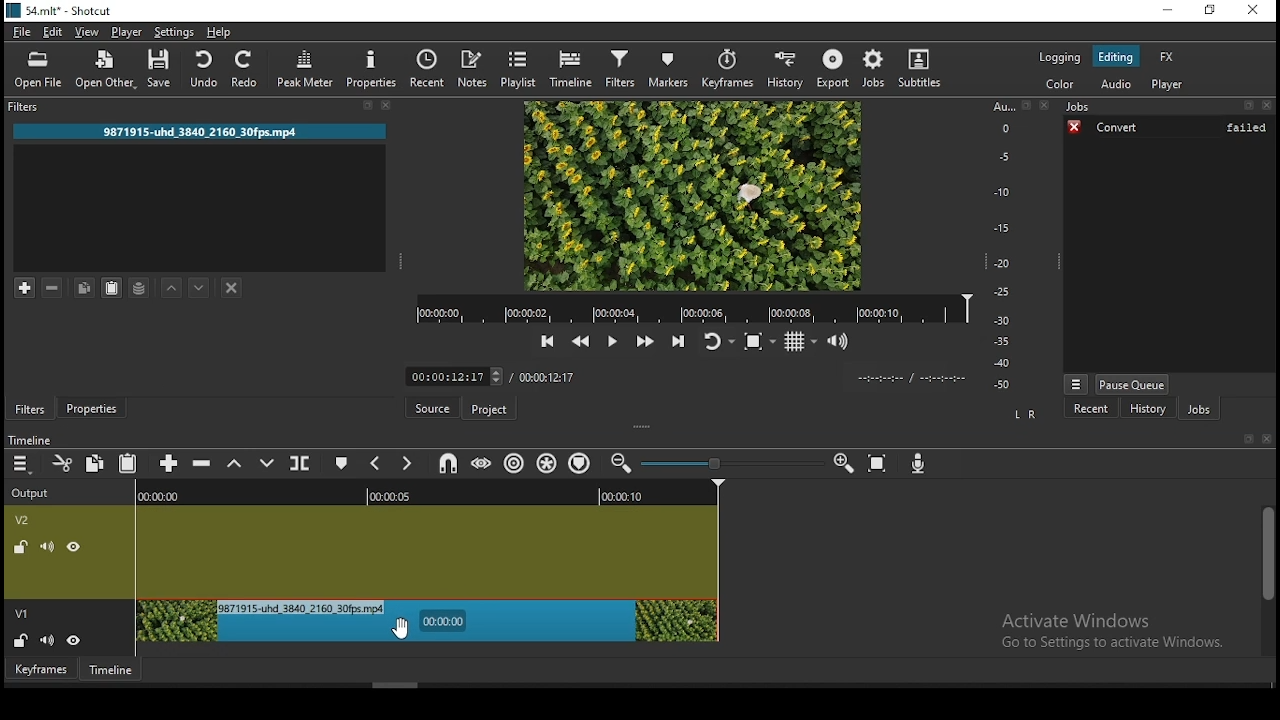 Image resolution: width=1280 pixels, height=720 pixels. Describe the element at coordinates (219, 33) in the screenshot. I see `help` at that location.